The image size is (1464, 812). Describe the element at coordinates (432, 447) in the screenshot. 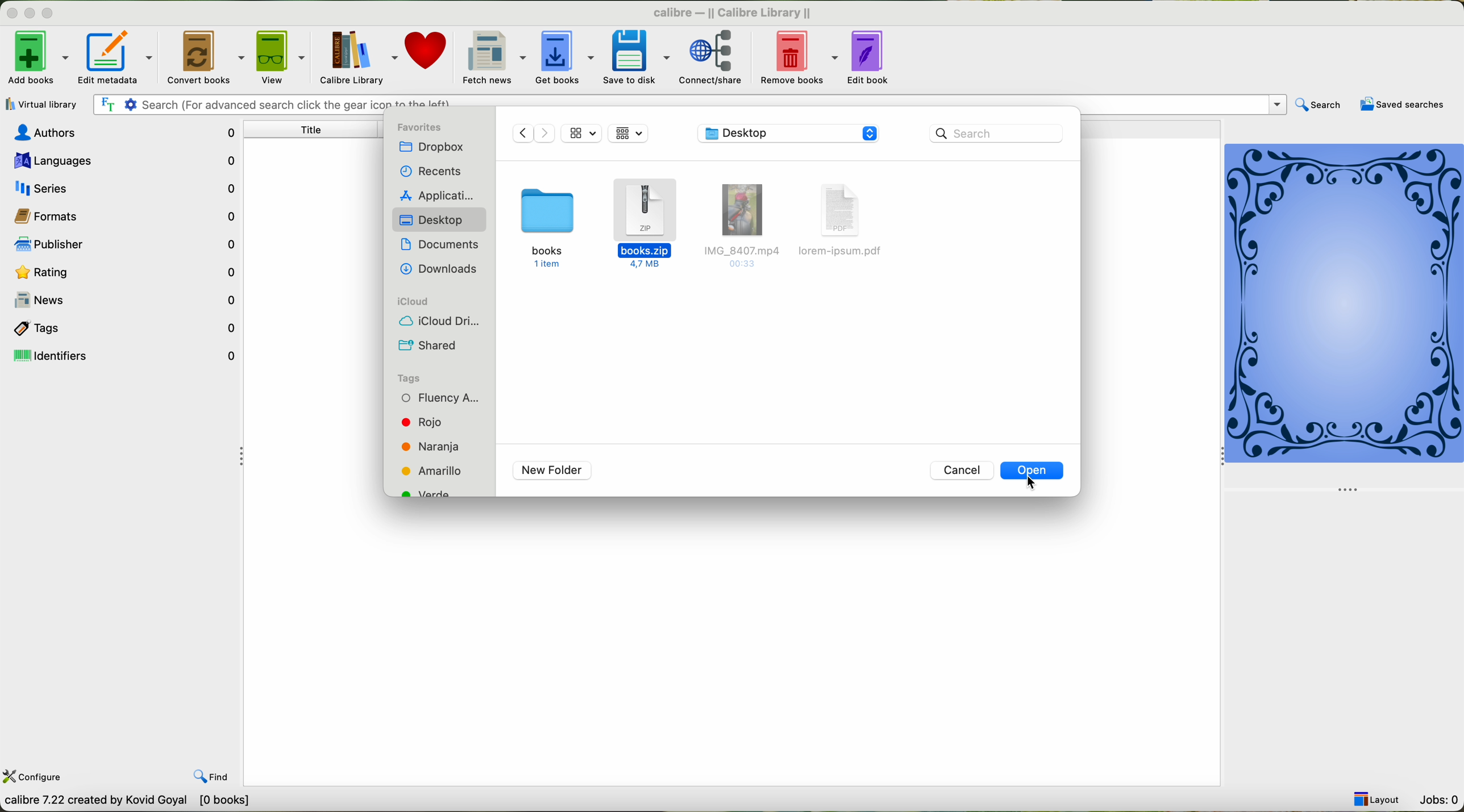

I see `orange tag` at that location.